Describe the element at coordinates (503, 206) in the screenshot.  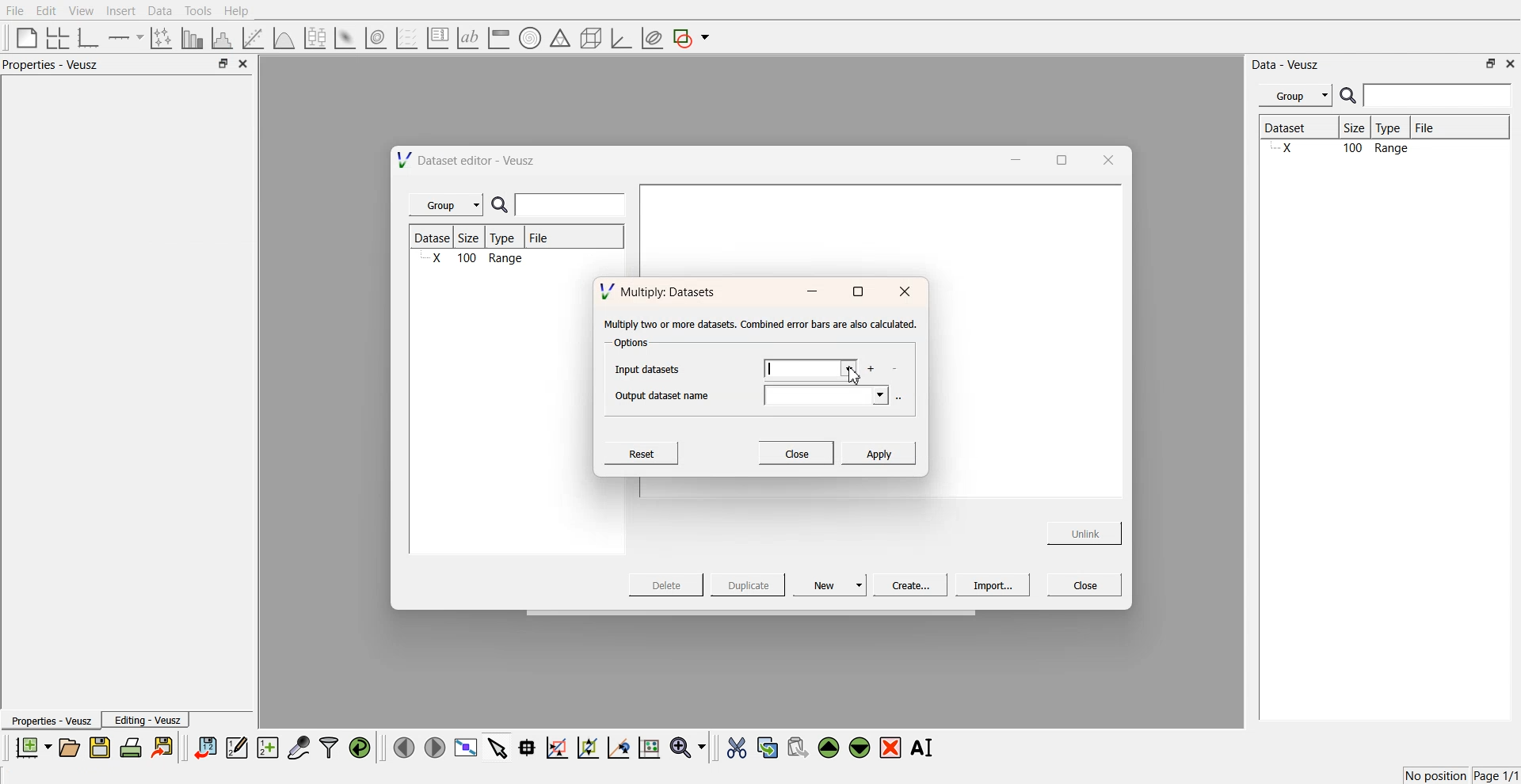
I see `search icon` at that location.